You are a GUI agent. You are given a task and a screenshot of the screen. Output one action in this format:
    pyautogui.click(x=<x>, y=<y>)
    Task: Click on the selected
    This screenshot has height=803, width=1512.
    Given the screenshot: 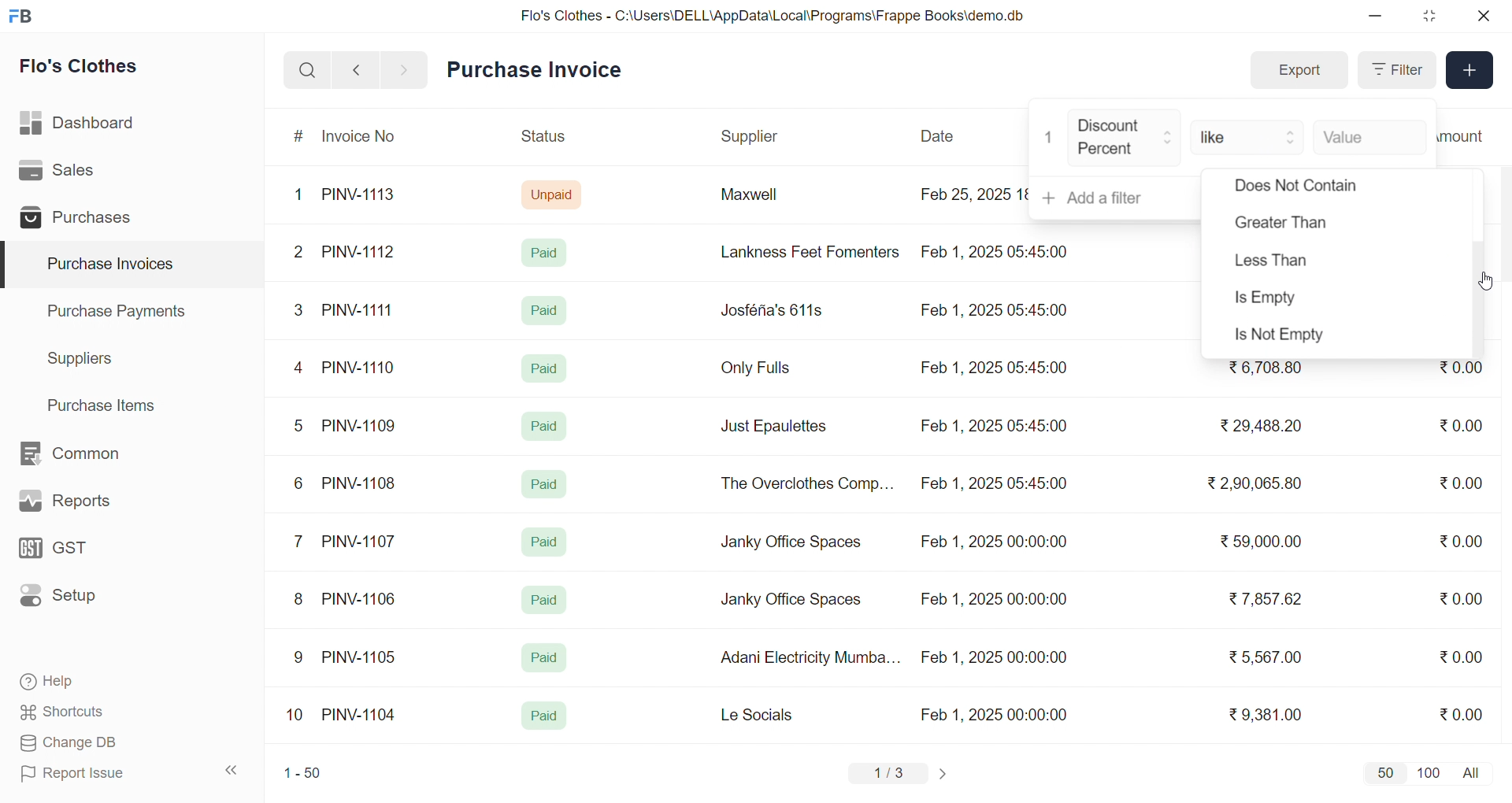 What is the action you would take?
    pyautogui.click(x=9, y=265)
    